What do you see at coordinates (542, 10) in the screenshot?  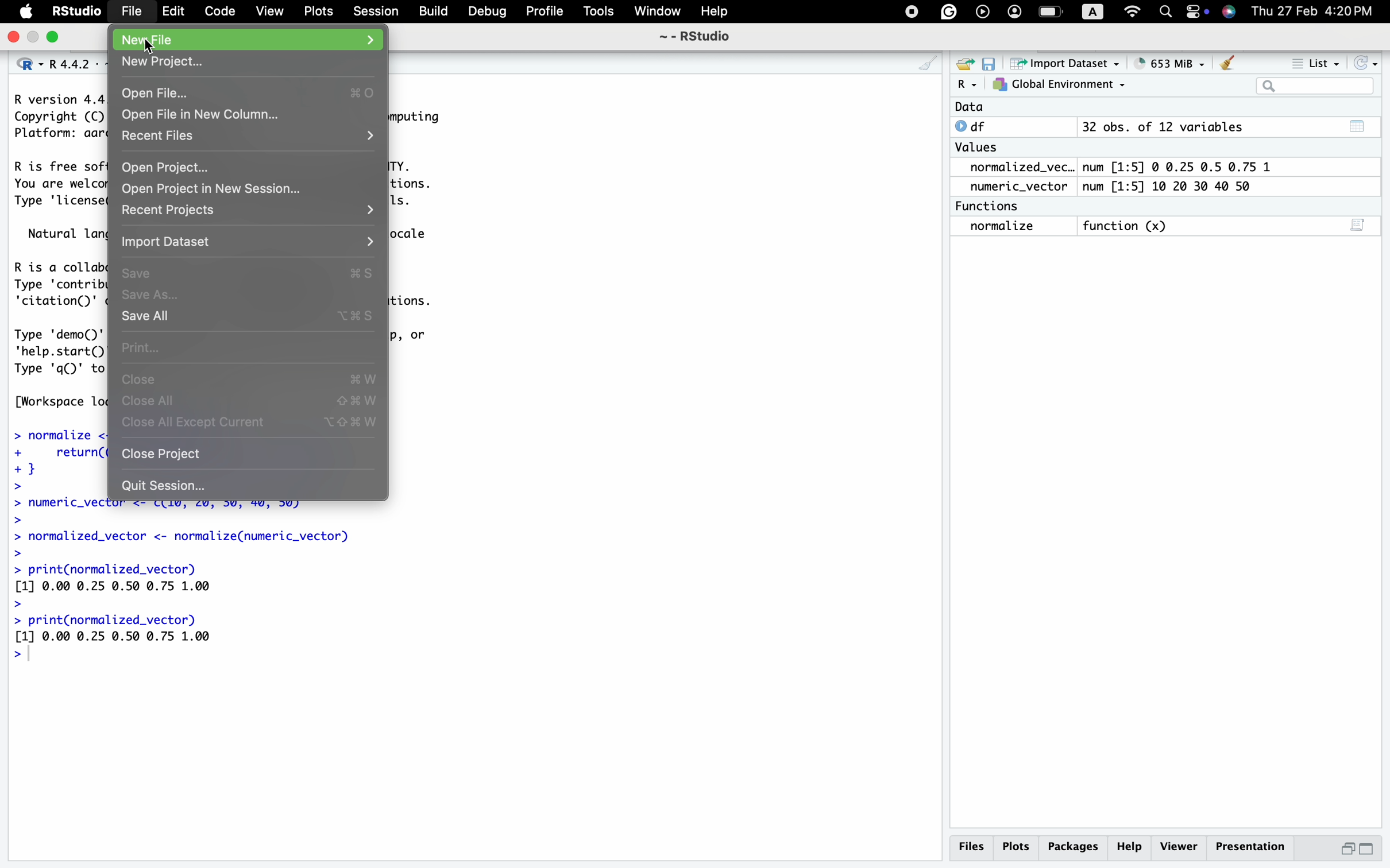 I see `Profile` at bounding box center [542, 10].